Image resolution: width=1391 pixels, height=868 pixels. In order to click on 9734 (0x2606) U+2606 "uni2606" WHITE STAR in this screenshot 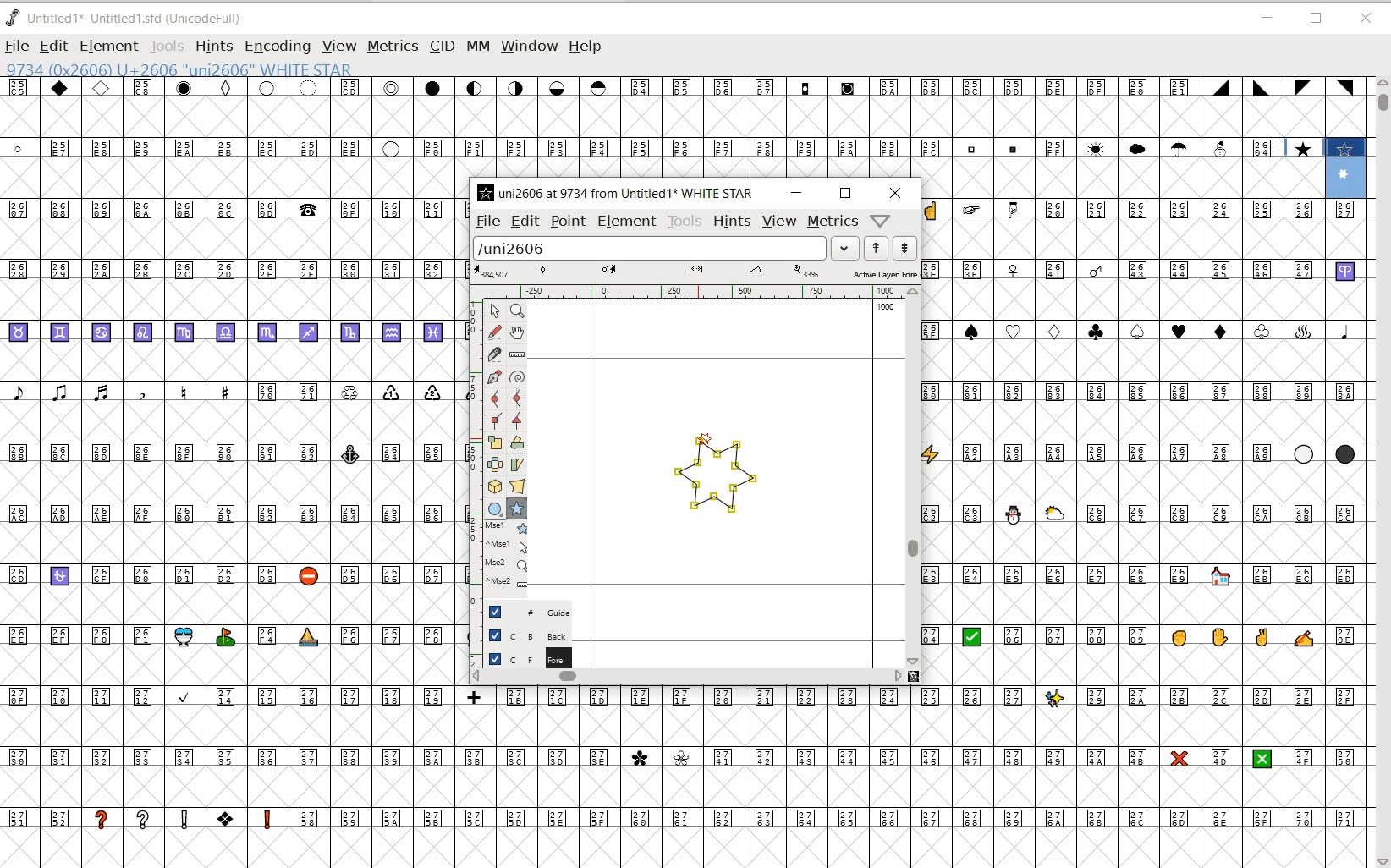, I will do `click(180, 70)`.